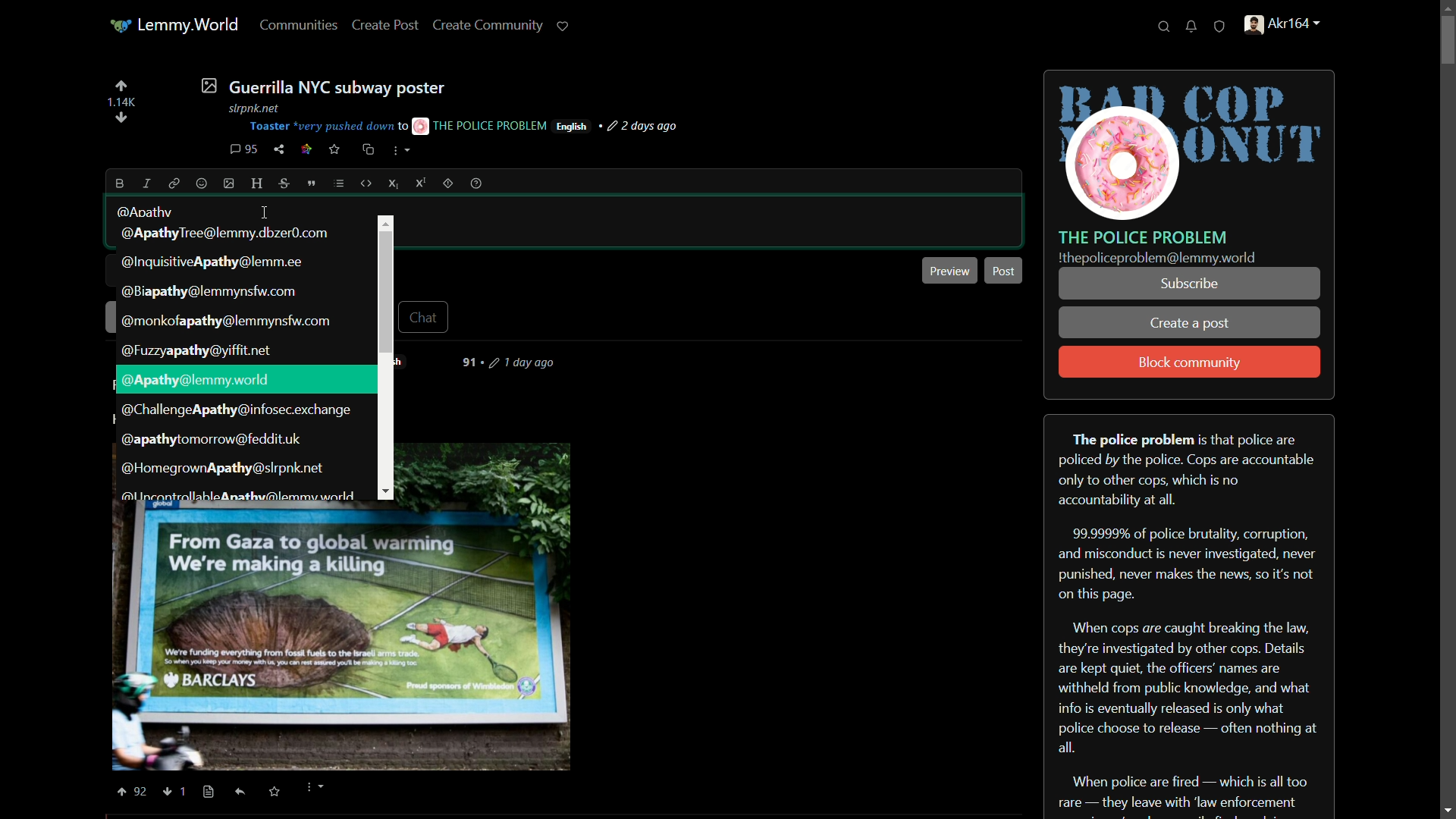  What do you see at coordinates (120, 792) in the screenshot?
I see `` at bounding box center [120, 792].